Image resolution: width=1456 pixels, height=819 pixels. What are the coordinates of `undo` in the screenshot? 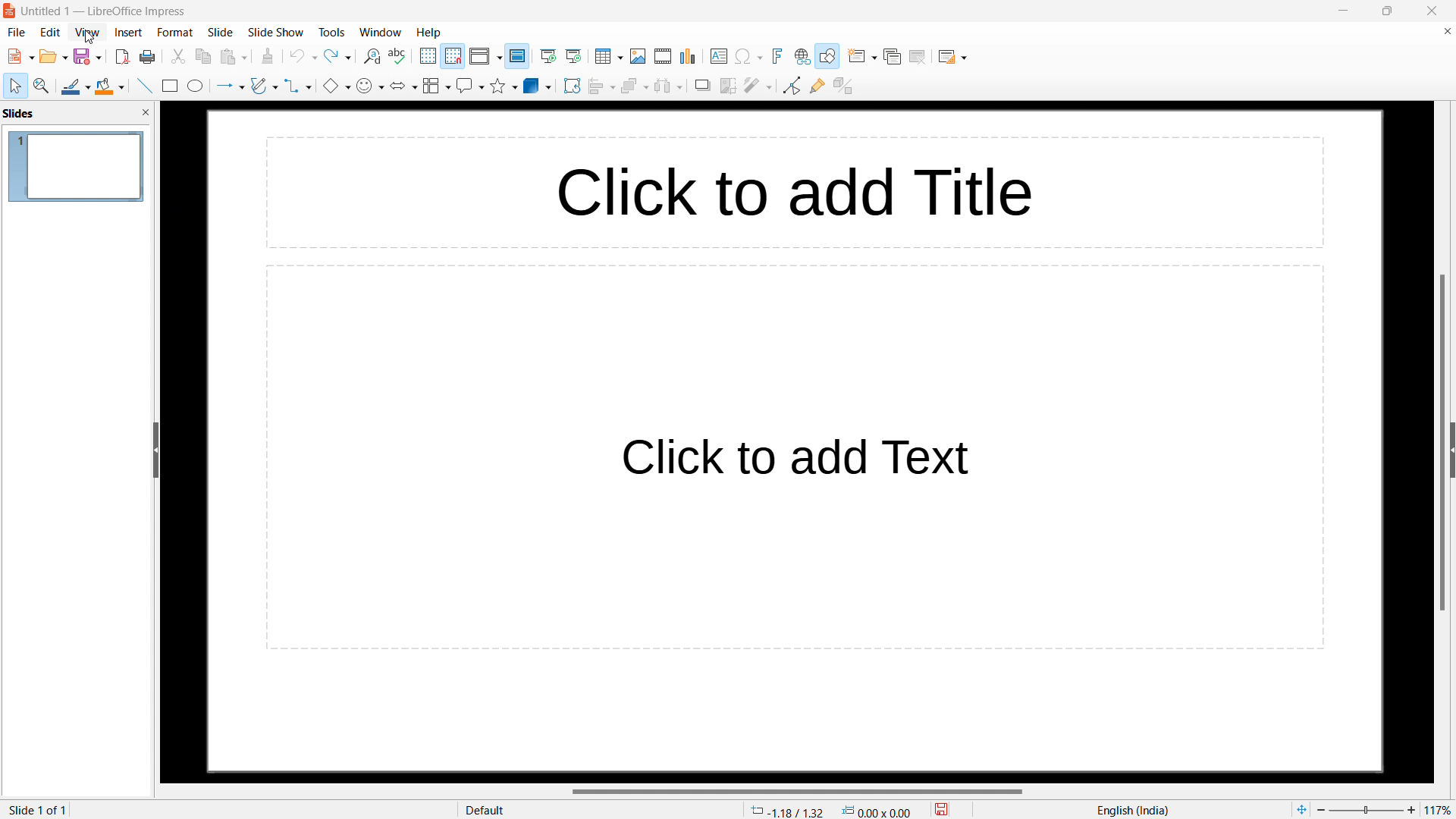 It's located at (303, 56).